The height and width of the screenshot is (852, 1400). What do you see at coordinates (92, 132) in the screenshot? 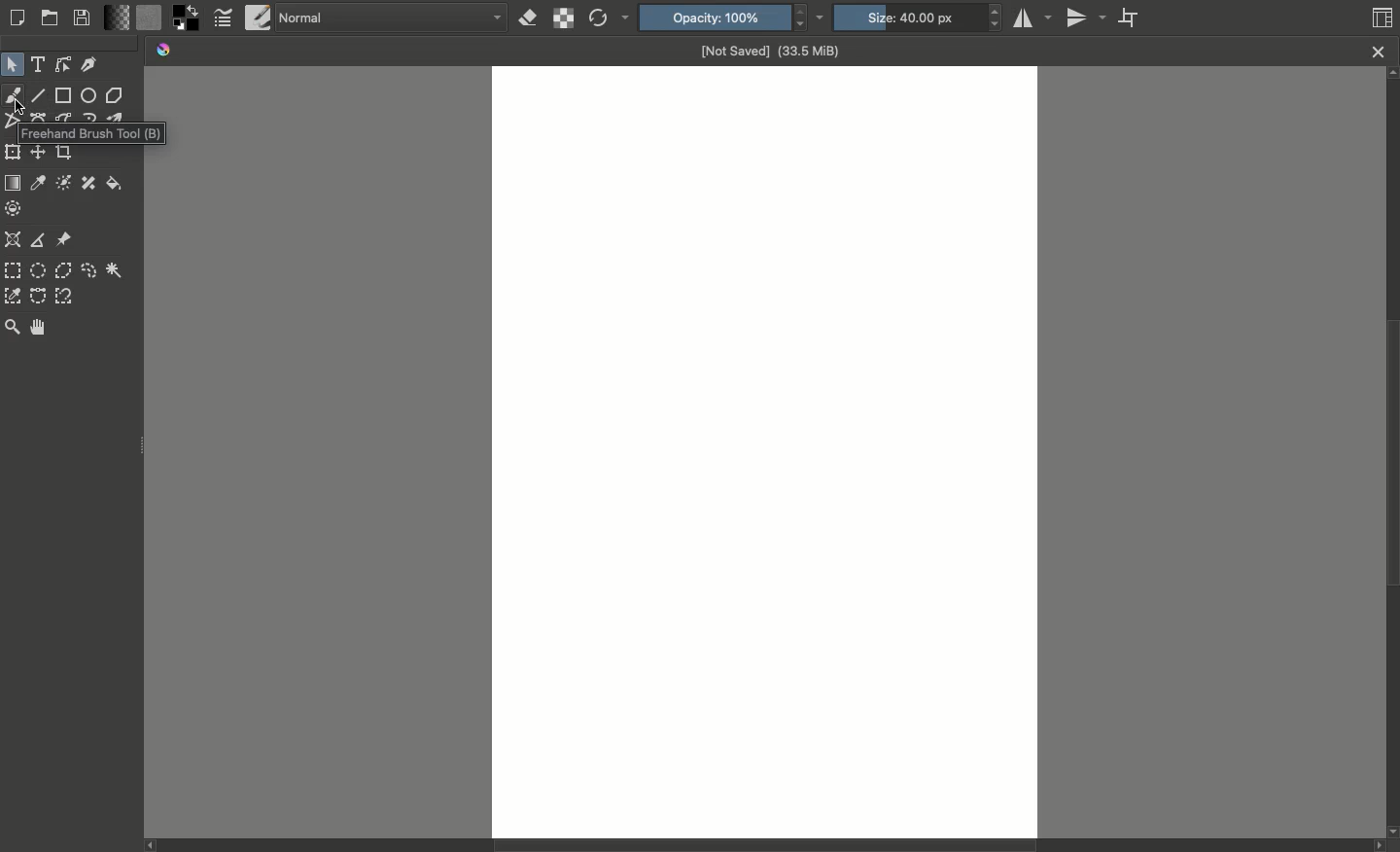
I see `Freehand Brush Tool (B)` at bounding box center [92, 132].